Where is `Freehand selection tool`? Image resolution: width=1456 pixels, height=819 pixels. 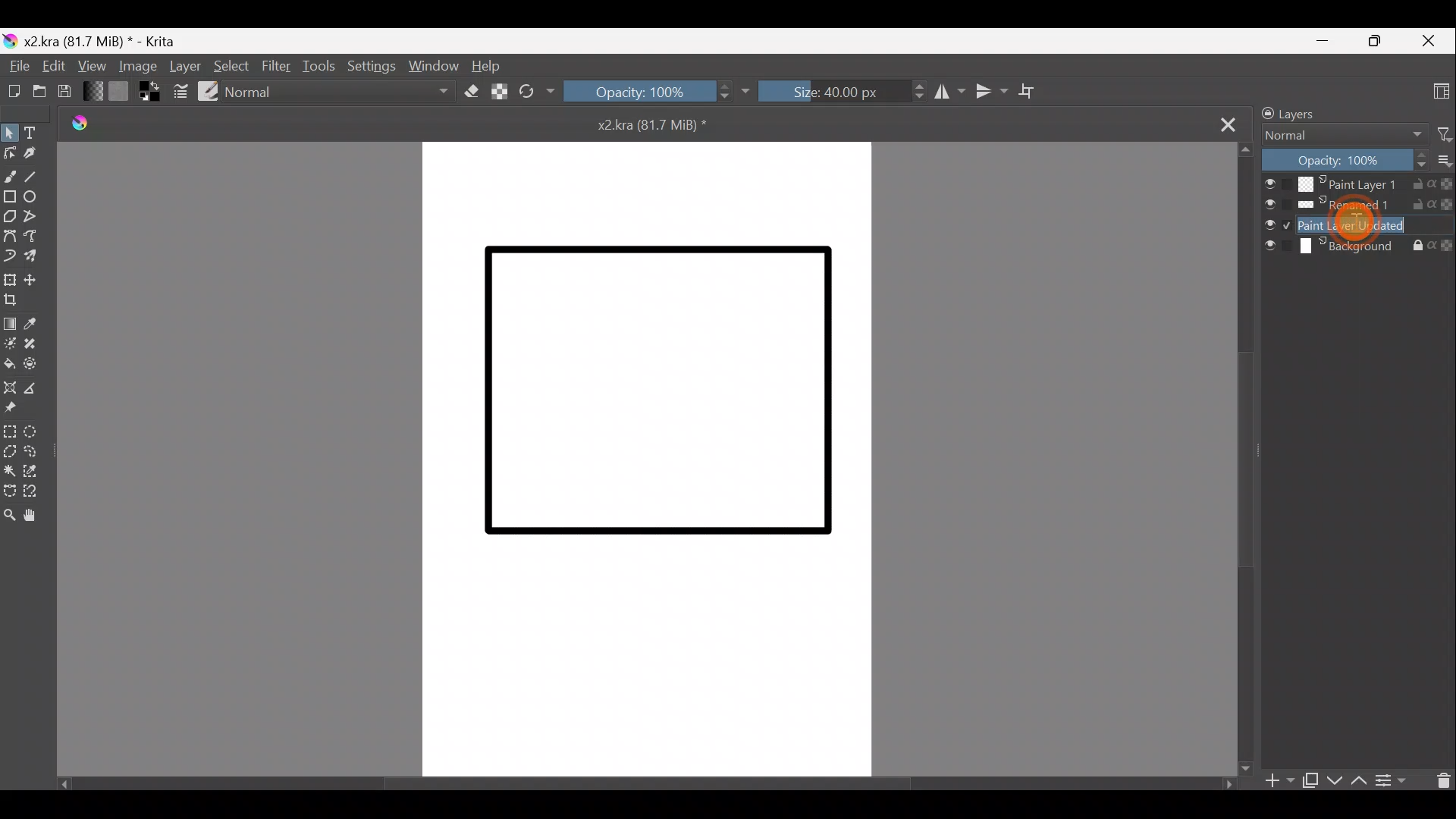
Freehand selection tool is located at coordinates (35, 451).